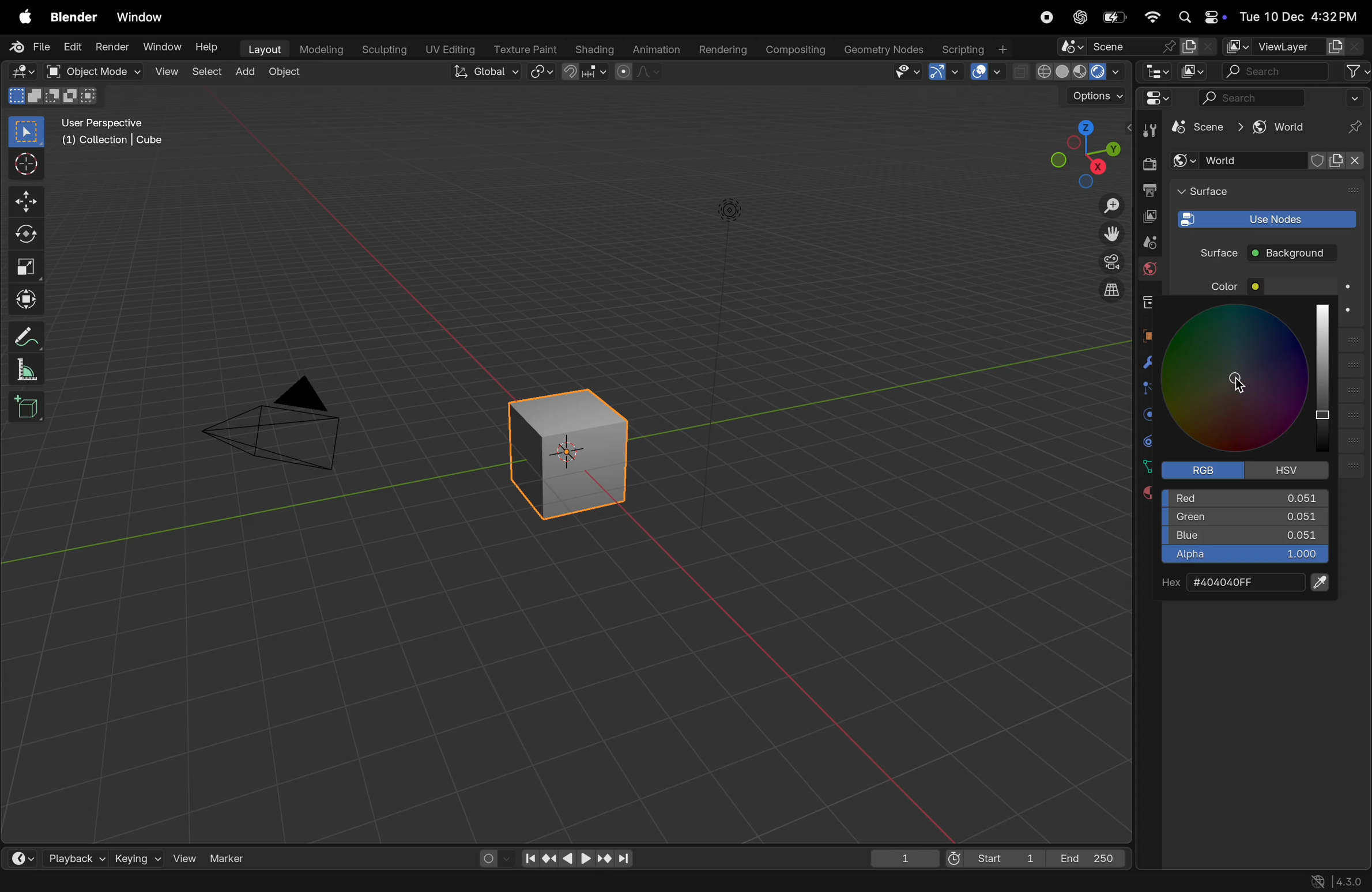 Image resolution: width=1372 pixels, height=892 pixels. Describe the element at coordinates (1113, 18) in the screenshot. I see `battery` at that location.